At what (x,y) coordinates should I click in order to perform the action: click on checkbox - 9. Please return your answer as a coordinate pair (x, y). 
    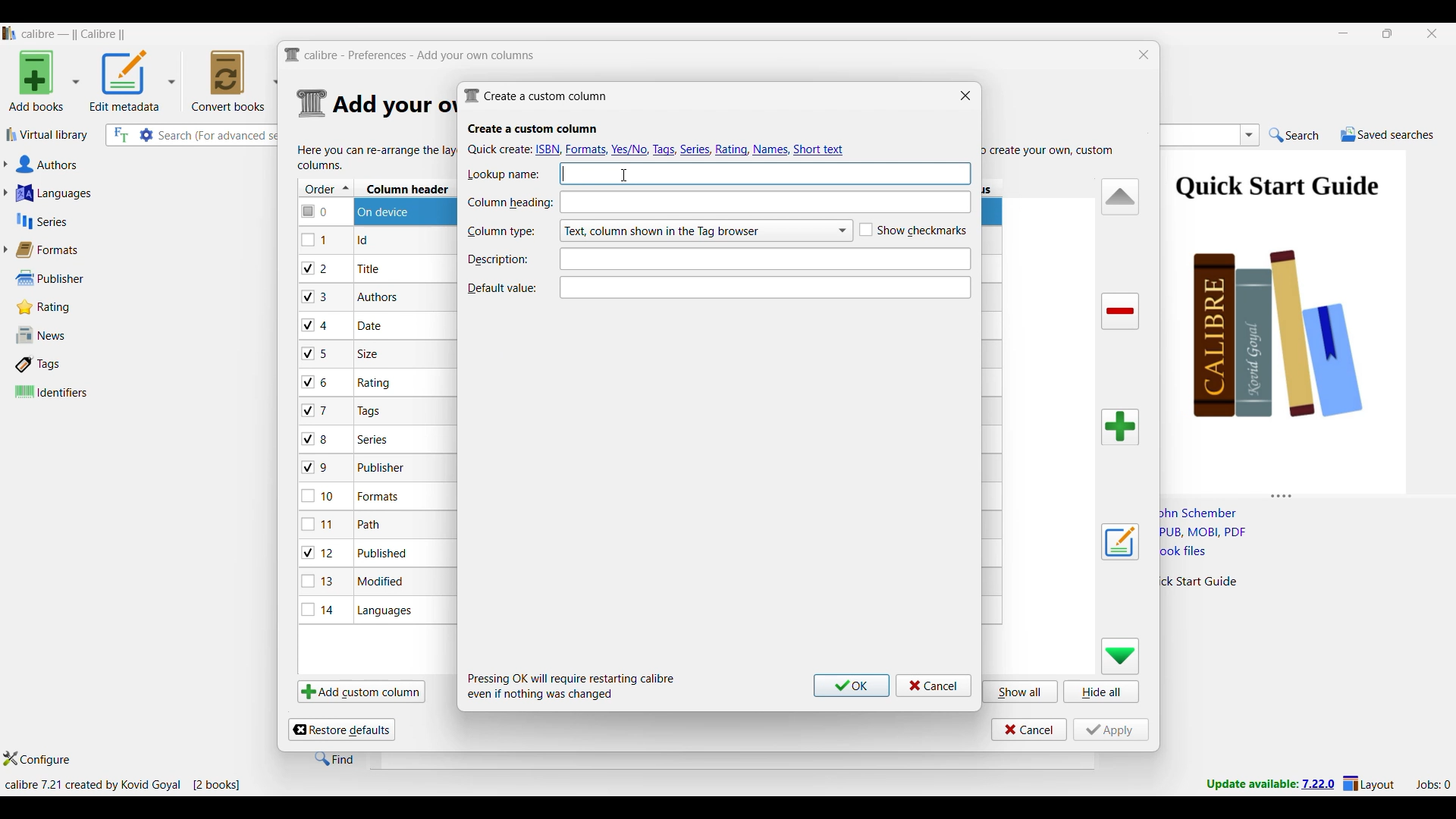
    Looking at the image, I should click on (315, 468).